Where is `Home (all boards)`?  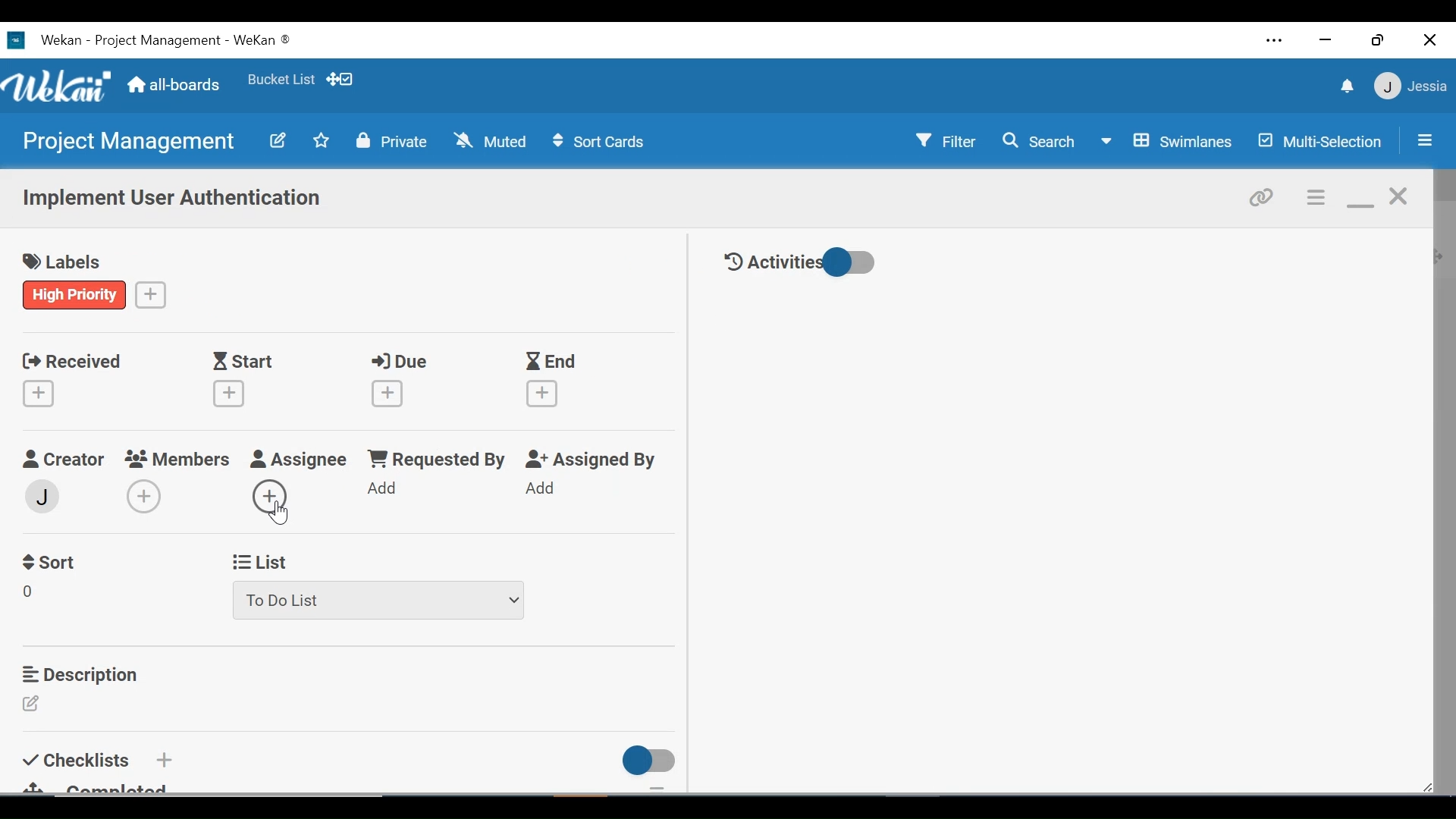
Home (all boards) is located at coordinates (174, 86).